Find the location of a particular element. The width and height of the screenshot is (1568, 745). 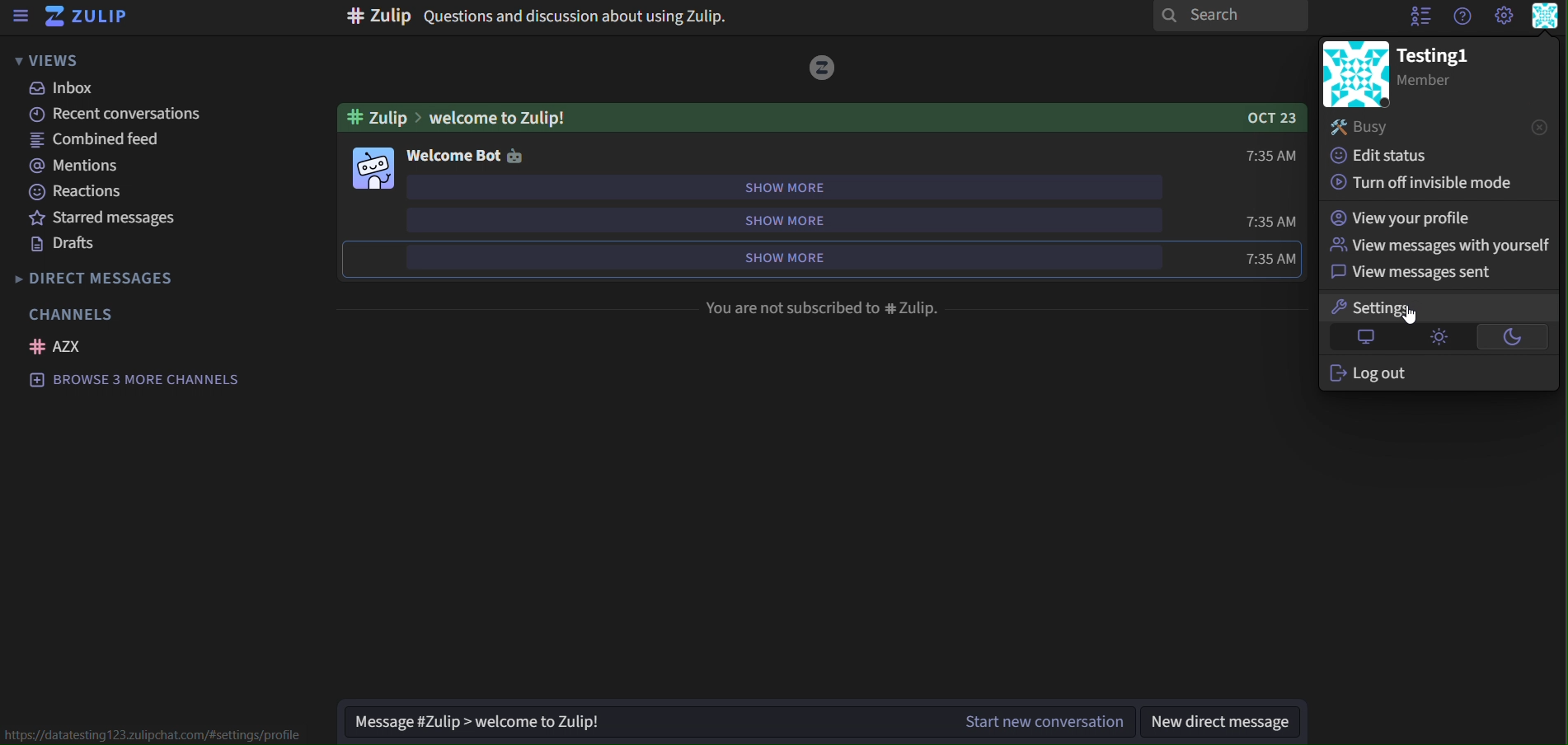

show more is located at coordinates (774, 260).